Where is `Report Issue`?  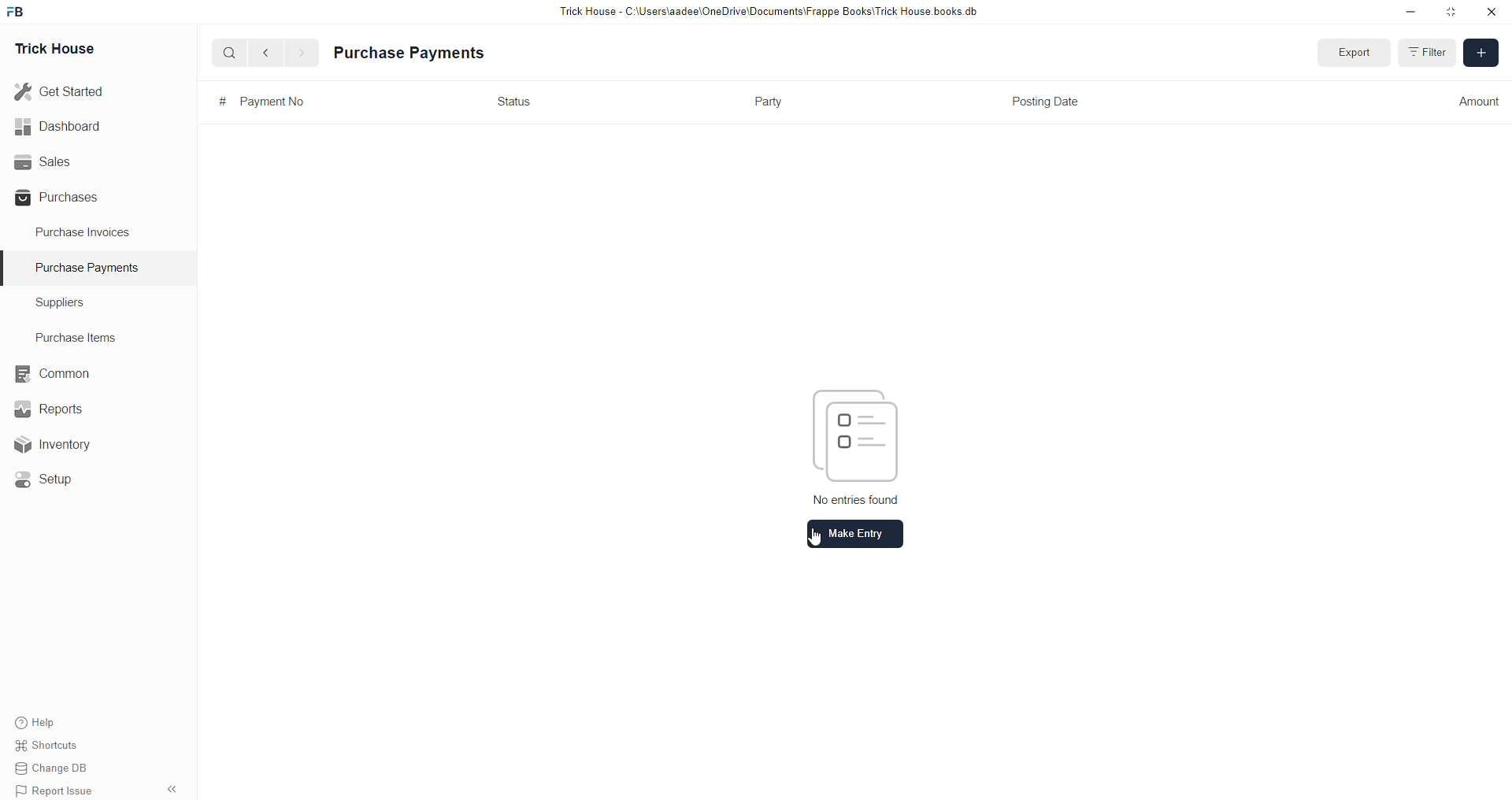 Report Issue is located at coordinates (59, 791).